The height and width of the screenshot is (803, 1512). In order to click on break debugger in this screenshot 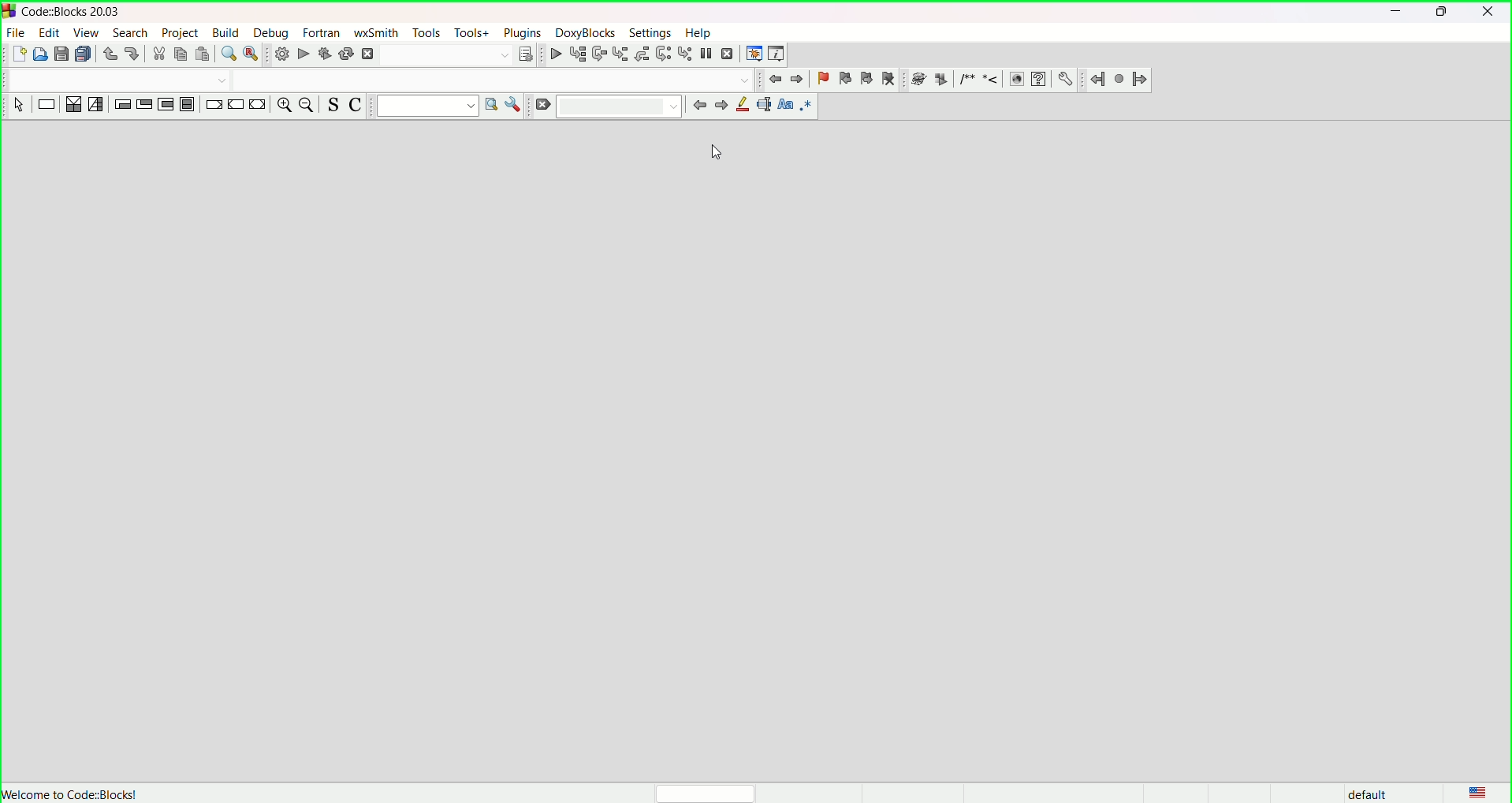, I will do `click(707, 54)`.